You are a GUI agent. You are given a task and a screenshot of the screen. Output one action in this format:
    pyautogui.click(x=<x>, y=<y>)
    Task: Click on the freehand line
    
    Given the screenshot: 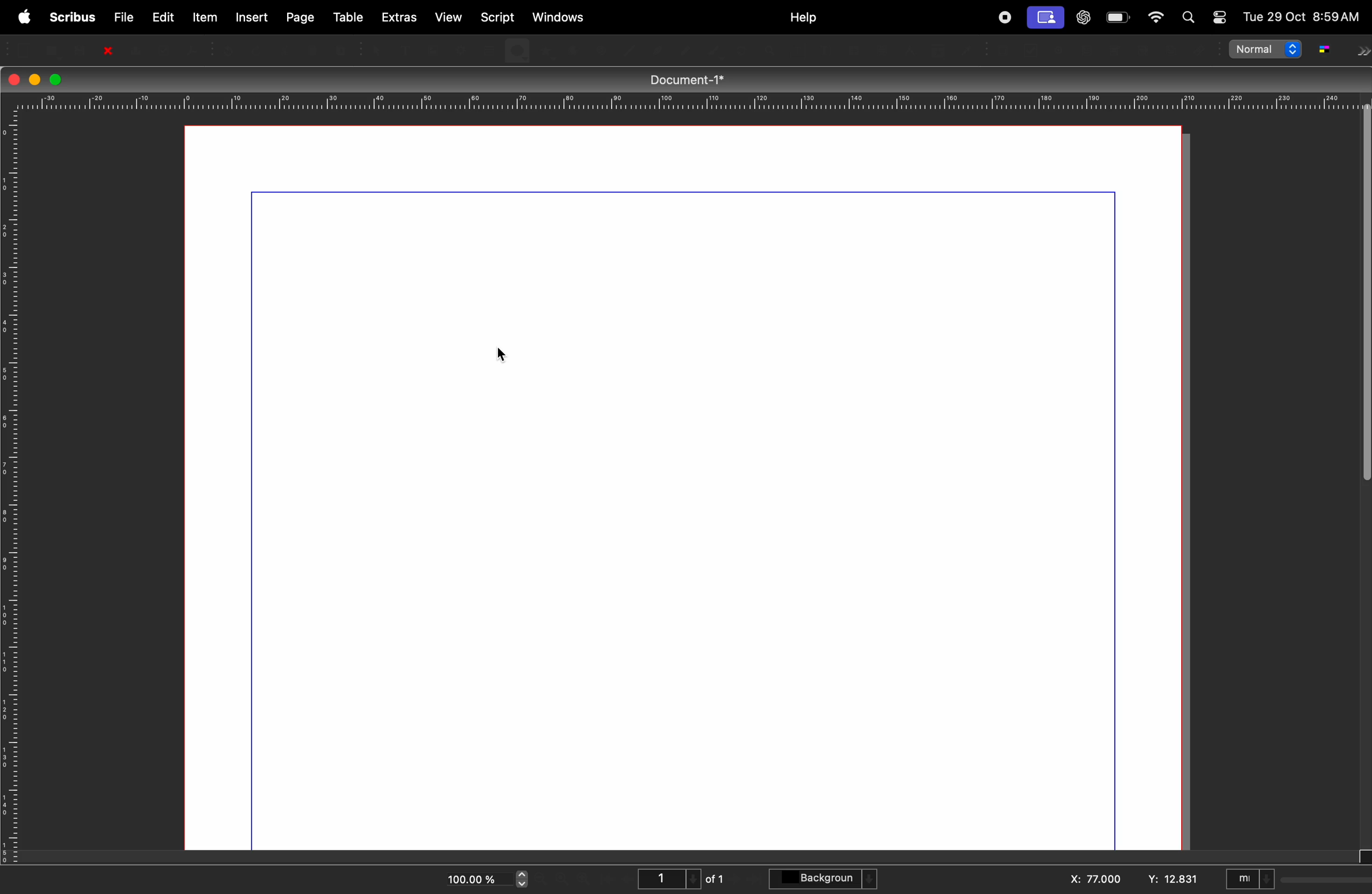 What is the action you would take?
    pyautogui.click(x=717, y=50)
    